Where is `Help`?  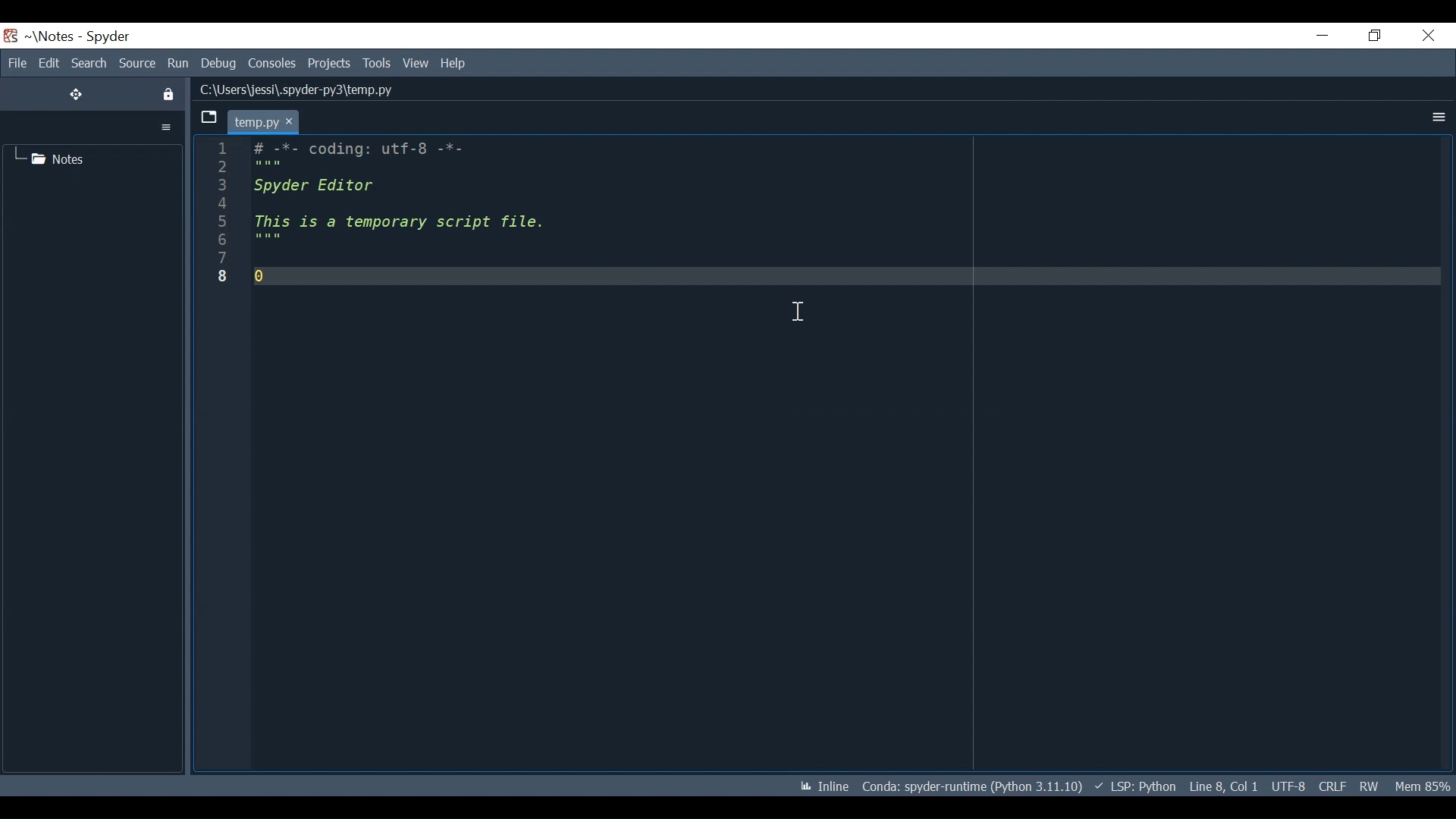 Help is located at coordinates (454, 64).